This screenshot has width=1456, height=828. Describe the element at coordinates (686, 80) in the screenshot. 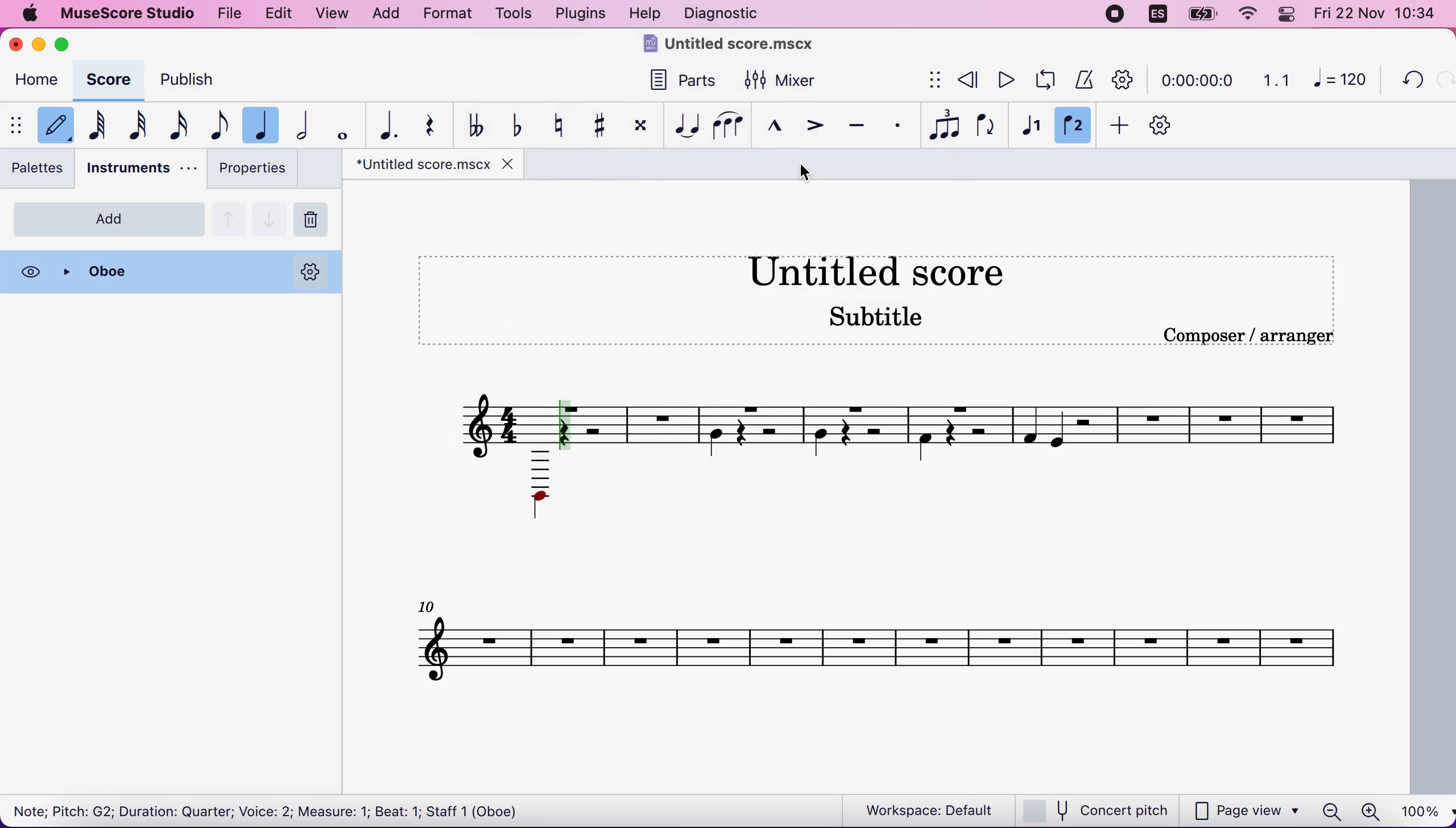

I see `parts` at that location.